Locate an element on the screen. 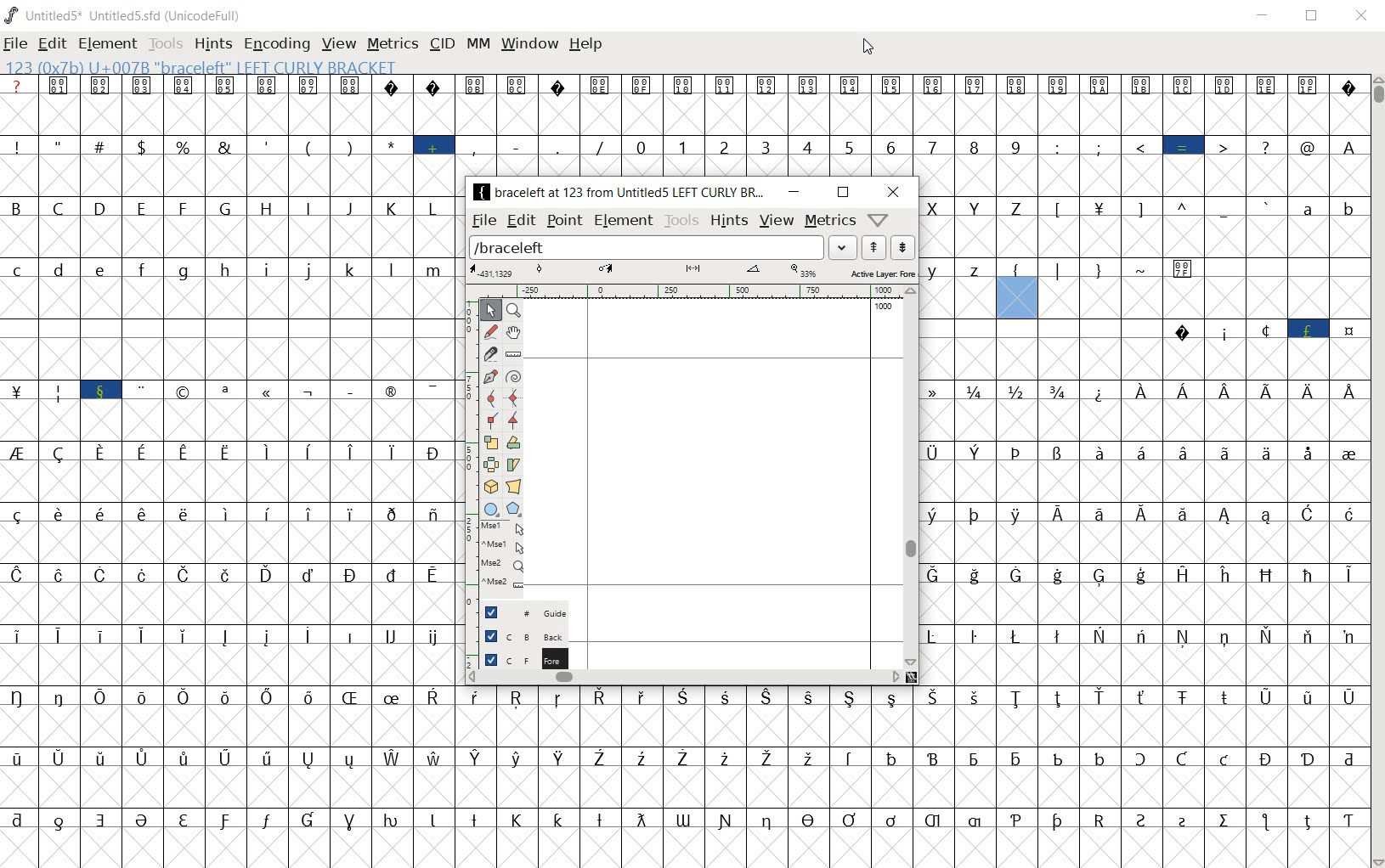 The image size is (1385, 868). Rotate the selection is located at coordinates (514, 465).